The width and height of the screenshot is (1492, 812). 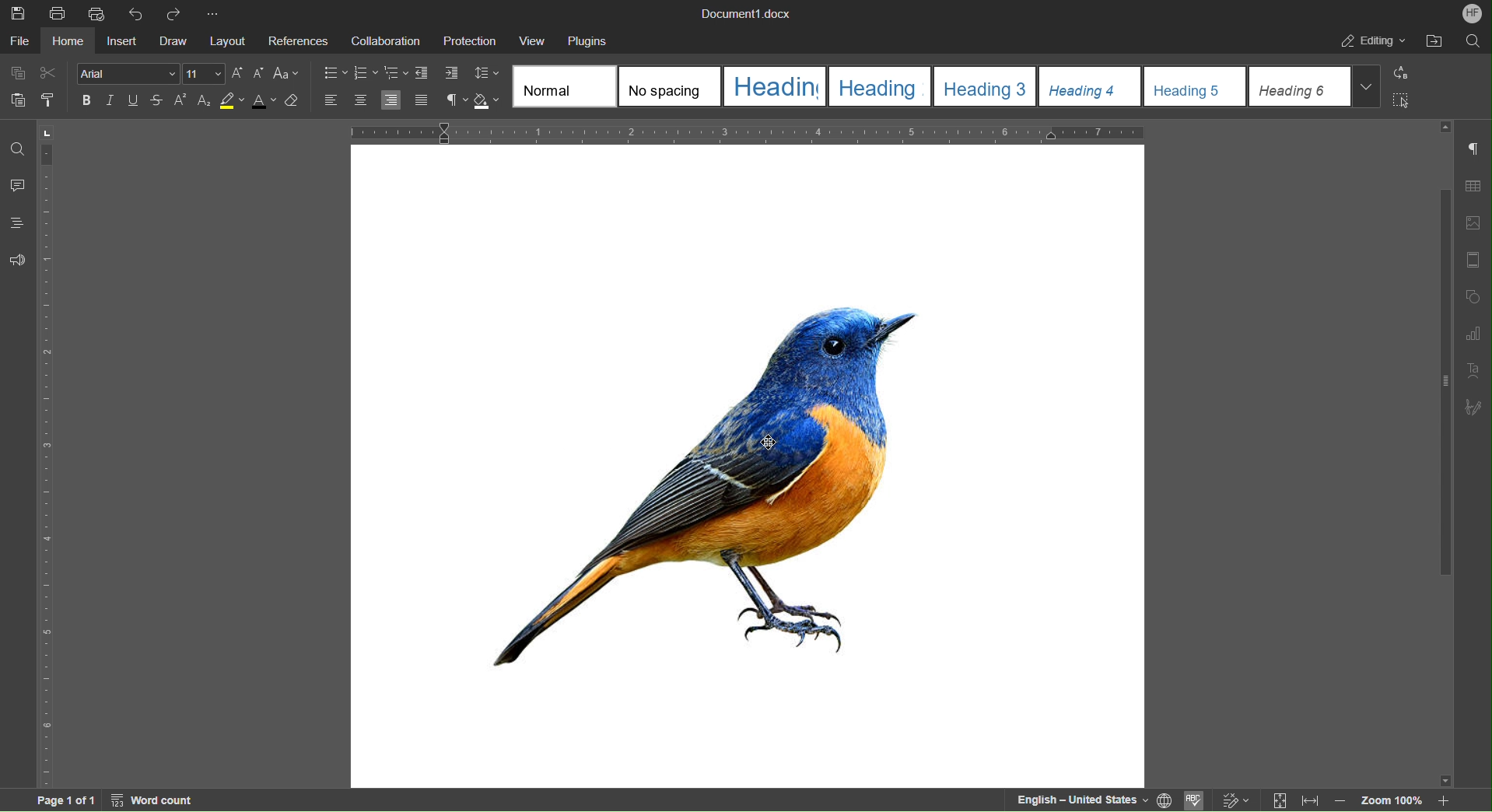 What do you see at coordinates (68, 43) in the screenshot?
I see `Home` at bounding box center [68, 43].